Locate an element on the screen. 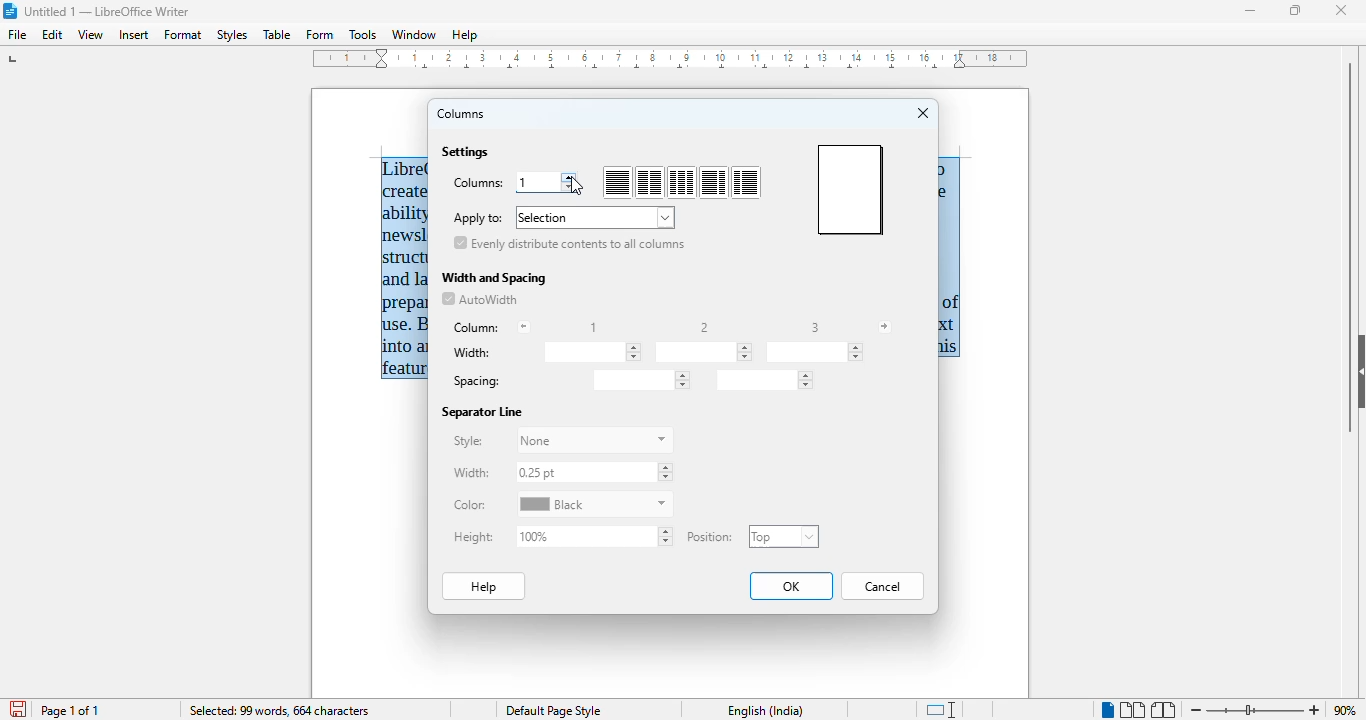 Image resolution: width=1366 pixels, height=720 pixels. book view is located at coordinates (1165, 710).